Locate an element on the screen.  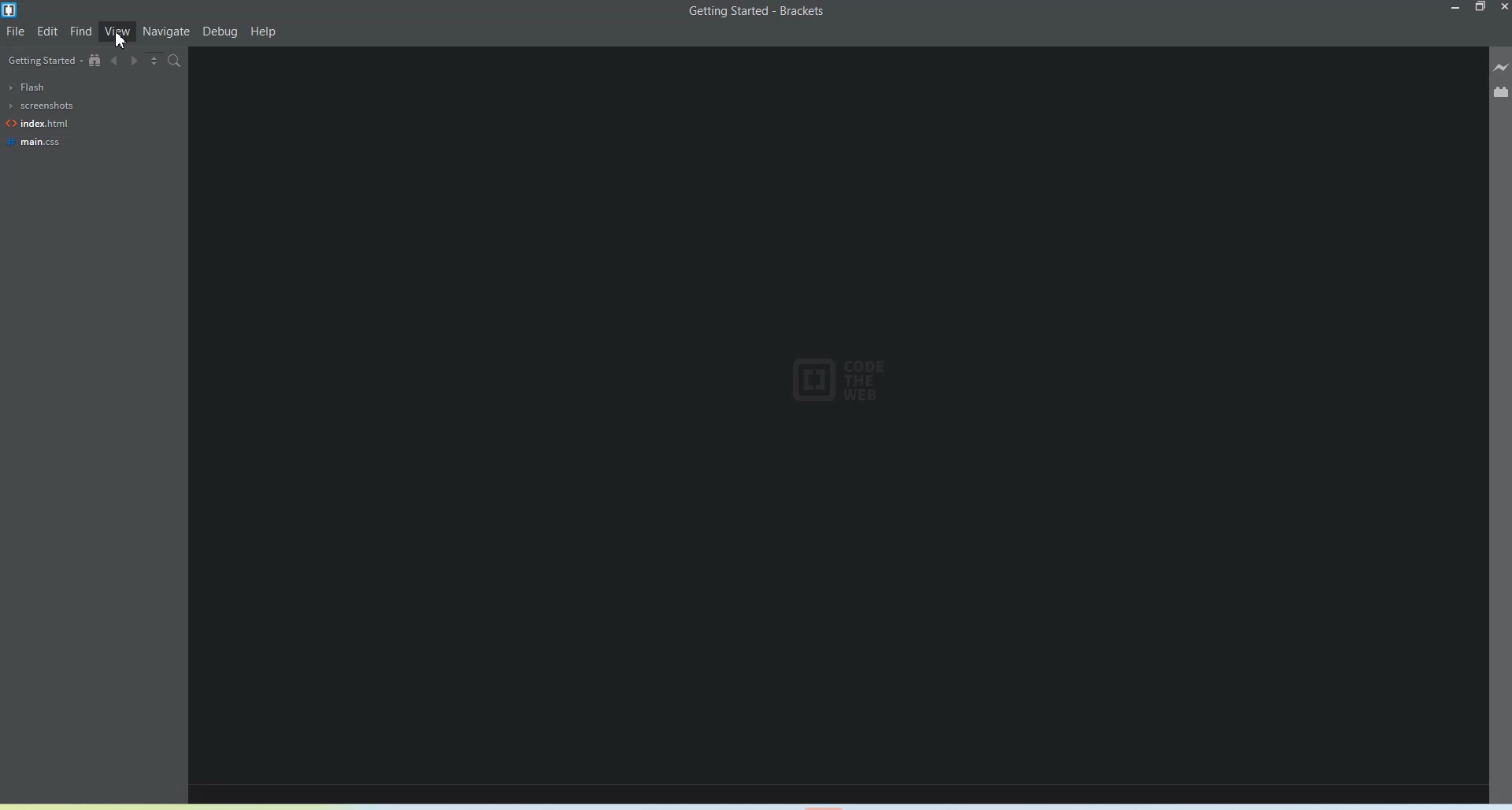
Debug is located at coordinates (220, 32).